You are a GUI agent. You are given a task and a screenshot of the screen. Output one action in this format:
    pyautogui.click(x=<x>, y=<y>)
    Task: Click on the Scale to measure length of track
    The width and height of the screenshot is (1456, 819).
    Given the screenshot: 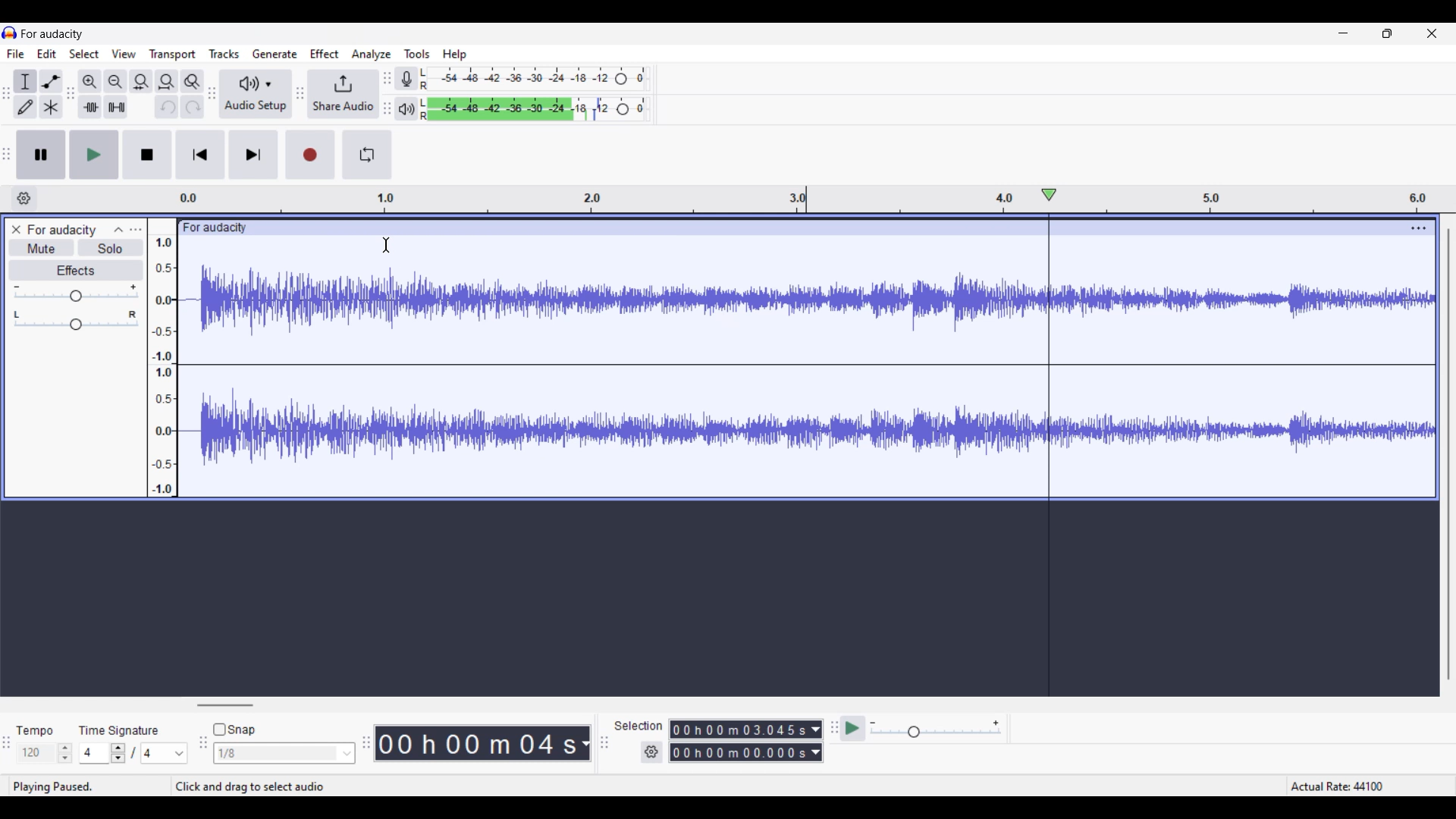 What is the action you would take?
    pyautogui.click(x=574, y=199)
    